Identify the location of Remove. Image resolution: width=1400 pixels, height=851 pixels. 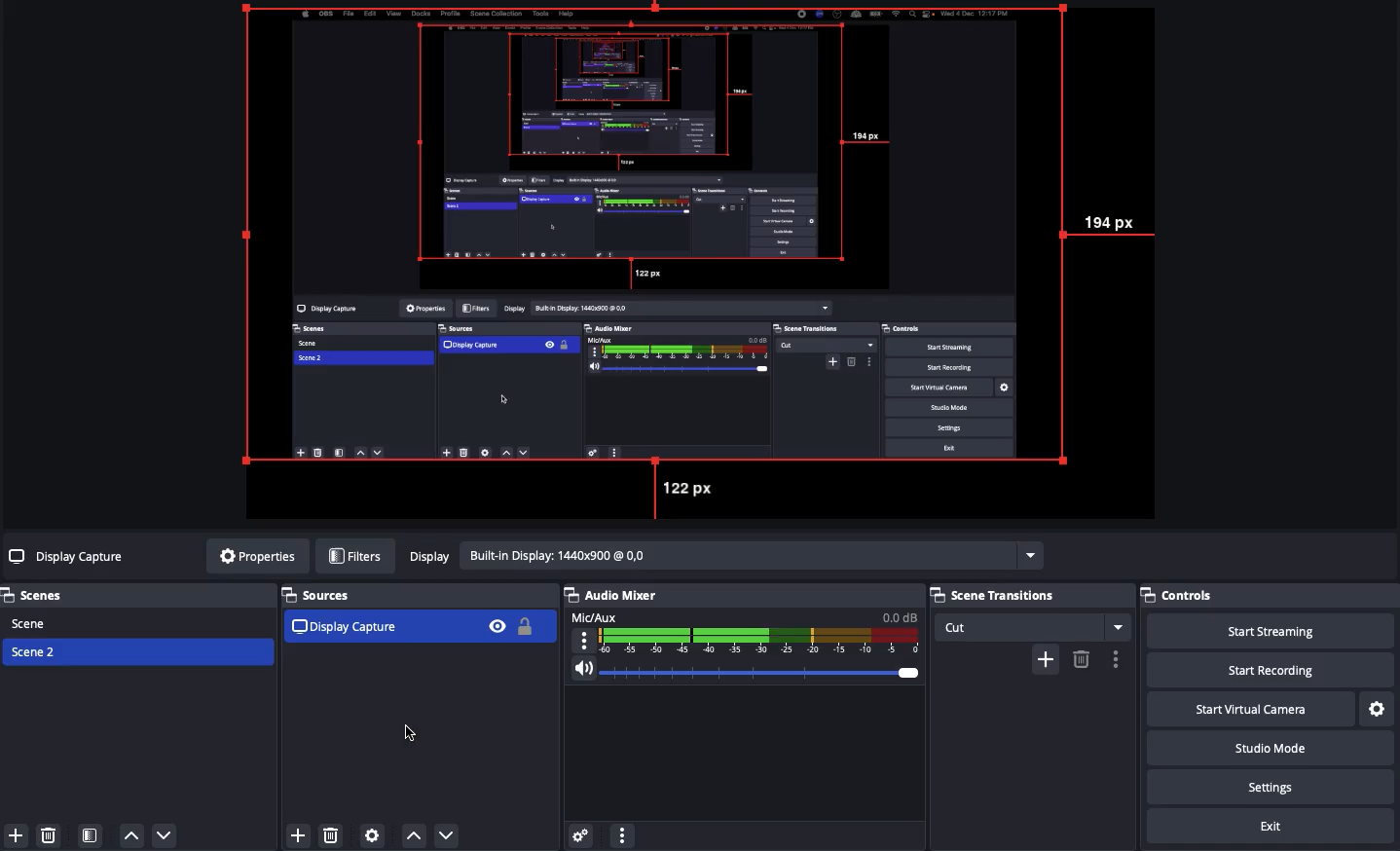
(48, 833).